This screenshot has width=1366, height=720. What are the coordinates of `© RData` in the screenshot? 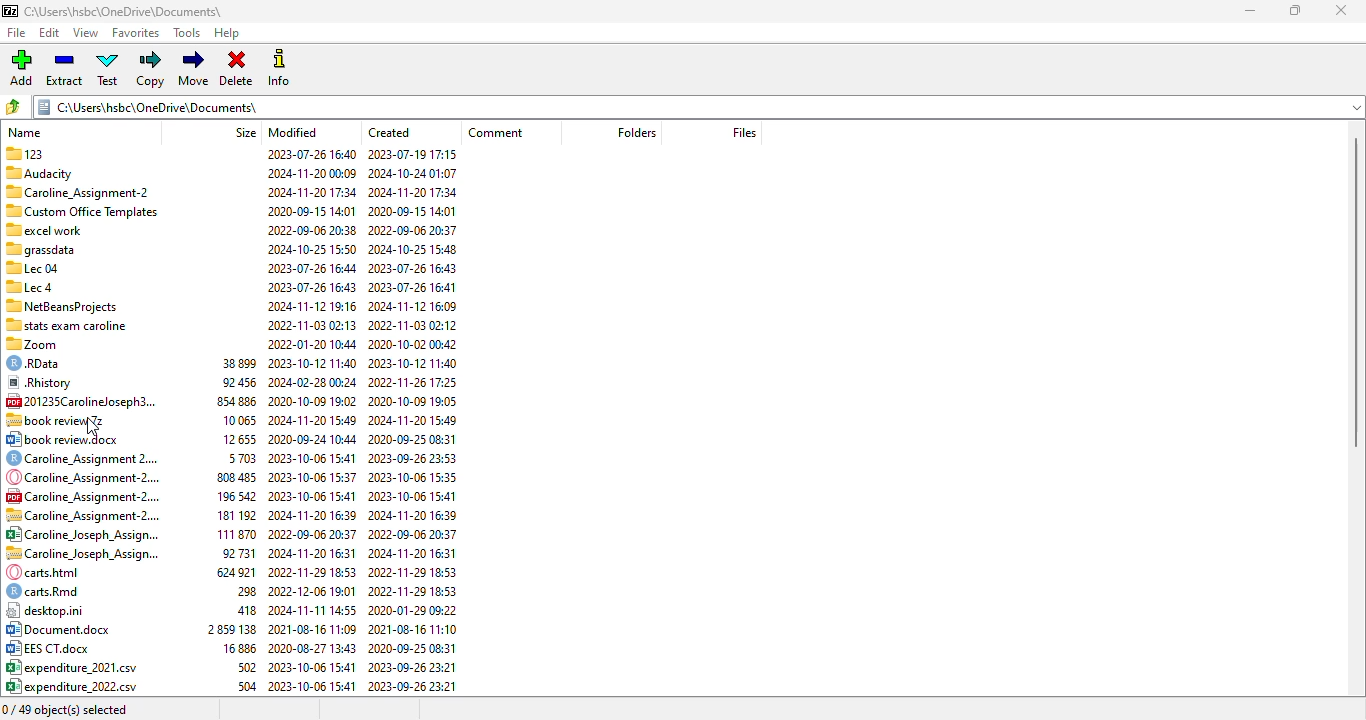 It's located at (40, 362).